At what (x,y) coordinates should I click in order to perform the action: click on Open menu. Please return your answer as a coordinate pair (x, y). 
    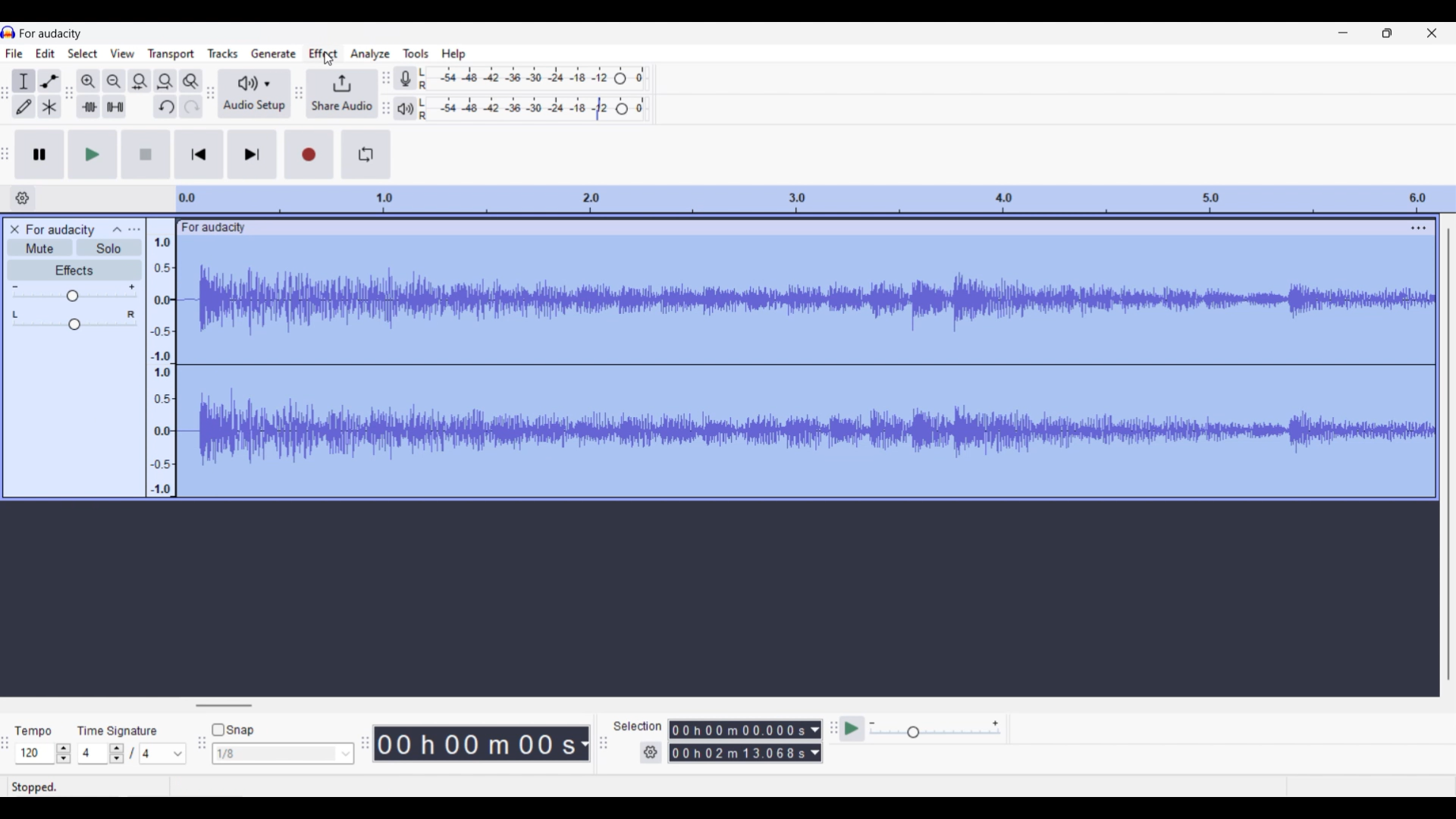
    Looking at the image, I should click on (134, 230).